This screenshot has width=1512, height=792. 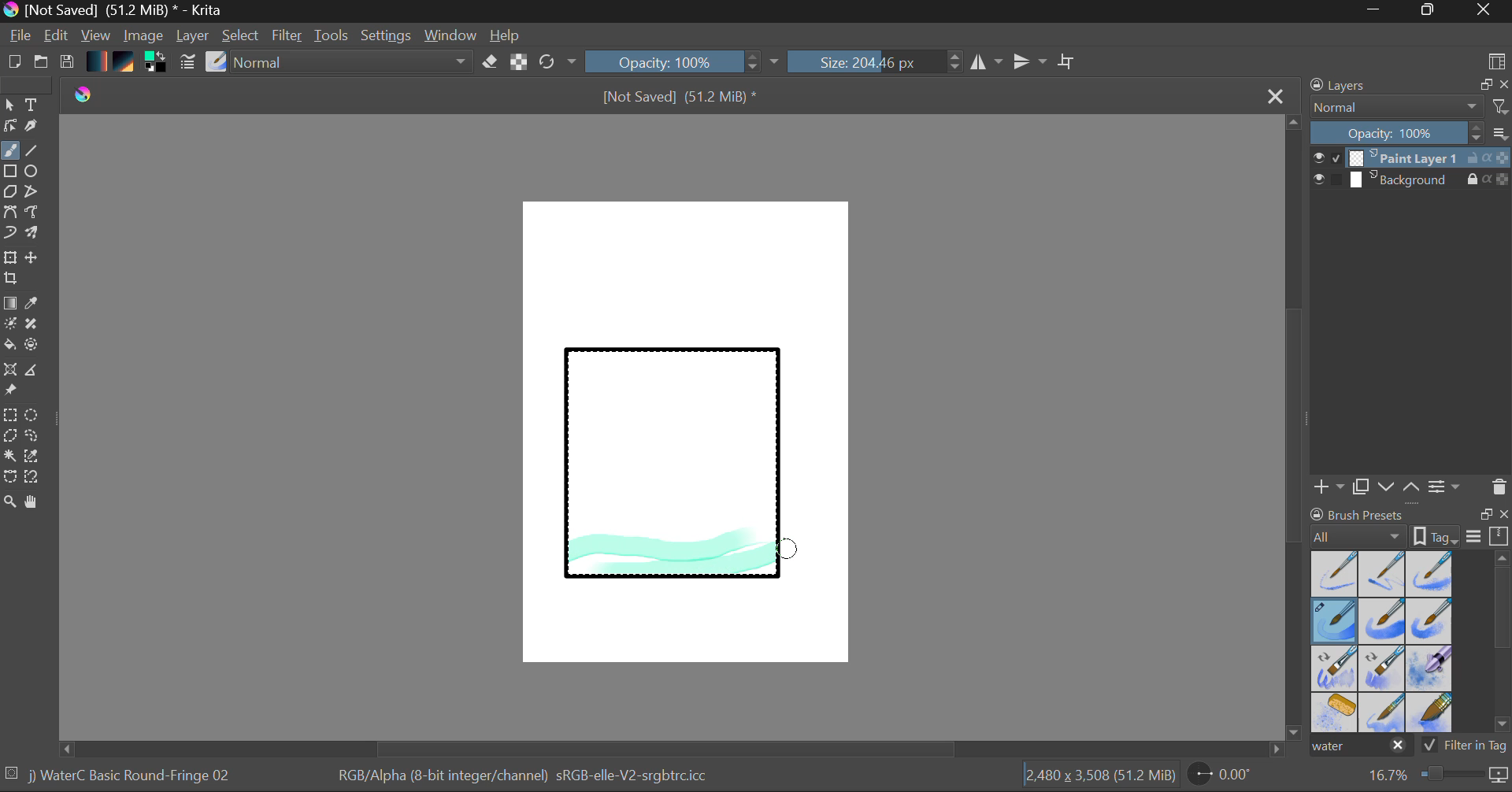 What do you see at coordinates (34, 172) in the screenshot?
I see `Elipses` at bounding box center [34, 172].